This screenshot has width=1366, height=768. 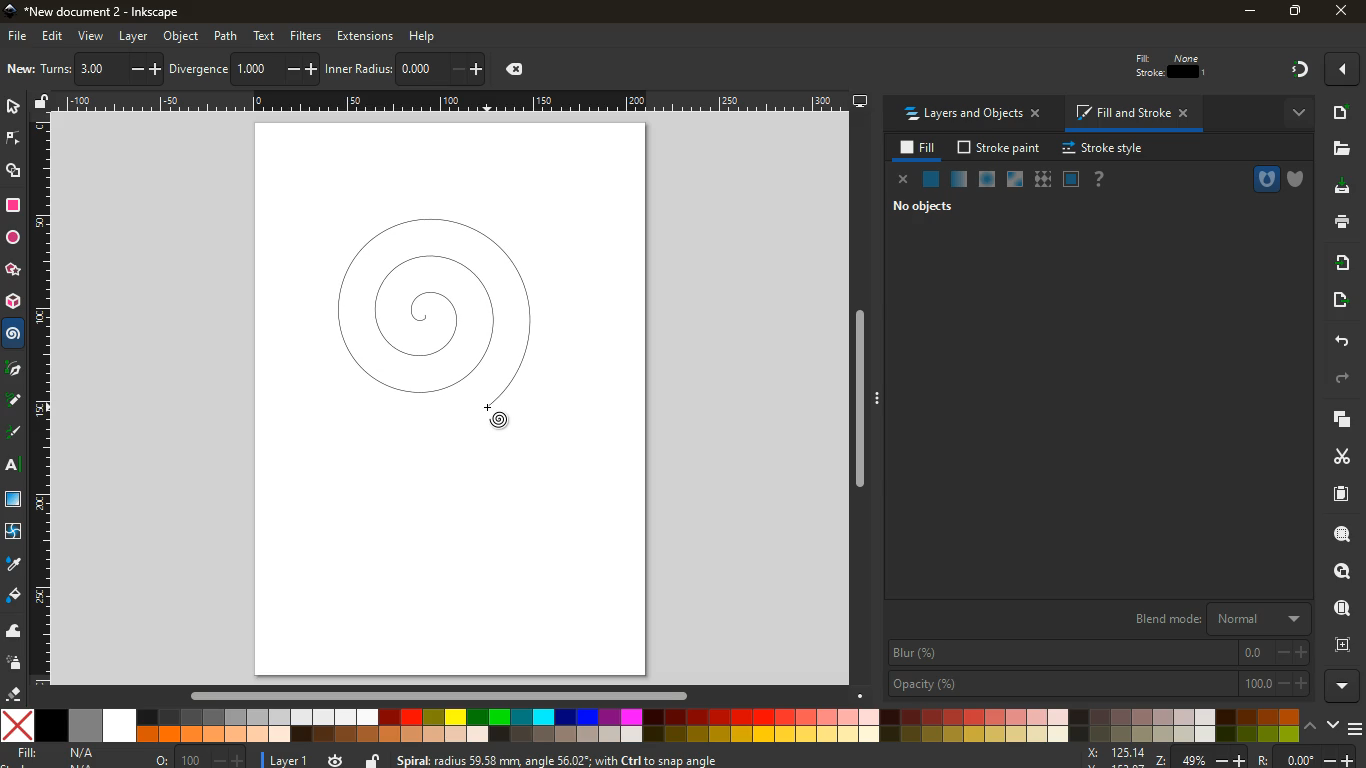 I want to click on graph, so click(x=442, y=69).